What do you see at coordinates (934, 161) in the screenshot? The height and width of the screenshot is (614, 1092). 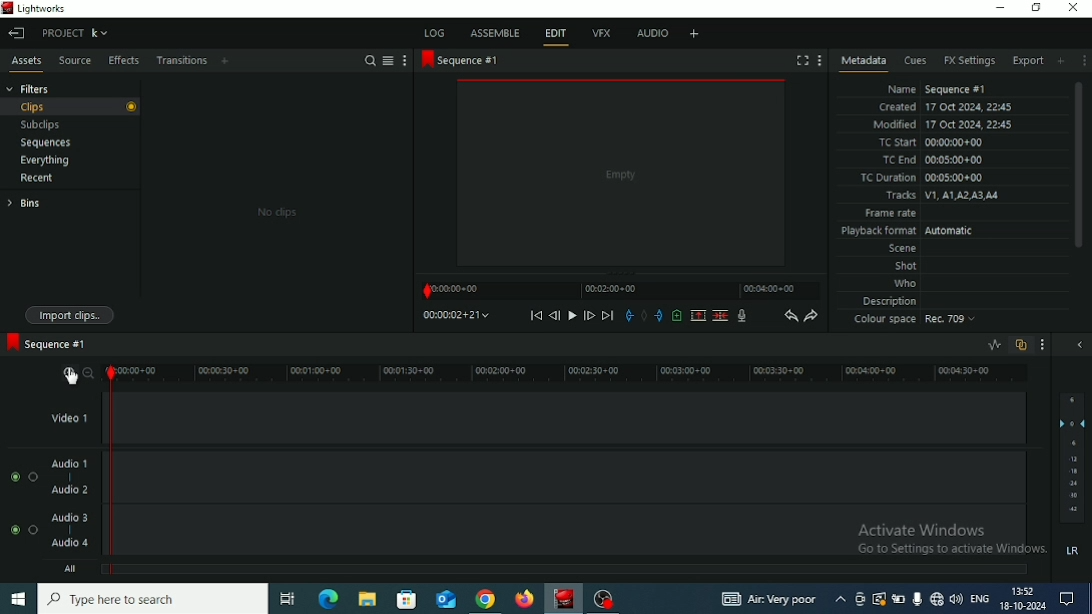 I see `TC End` at bounding box center [934, 161].